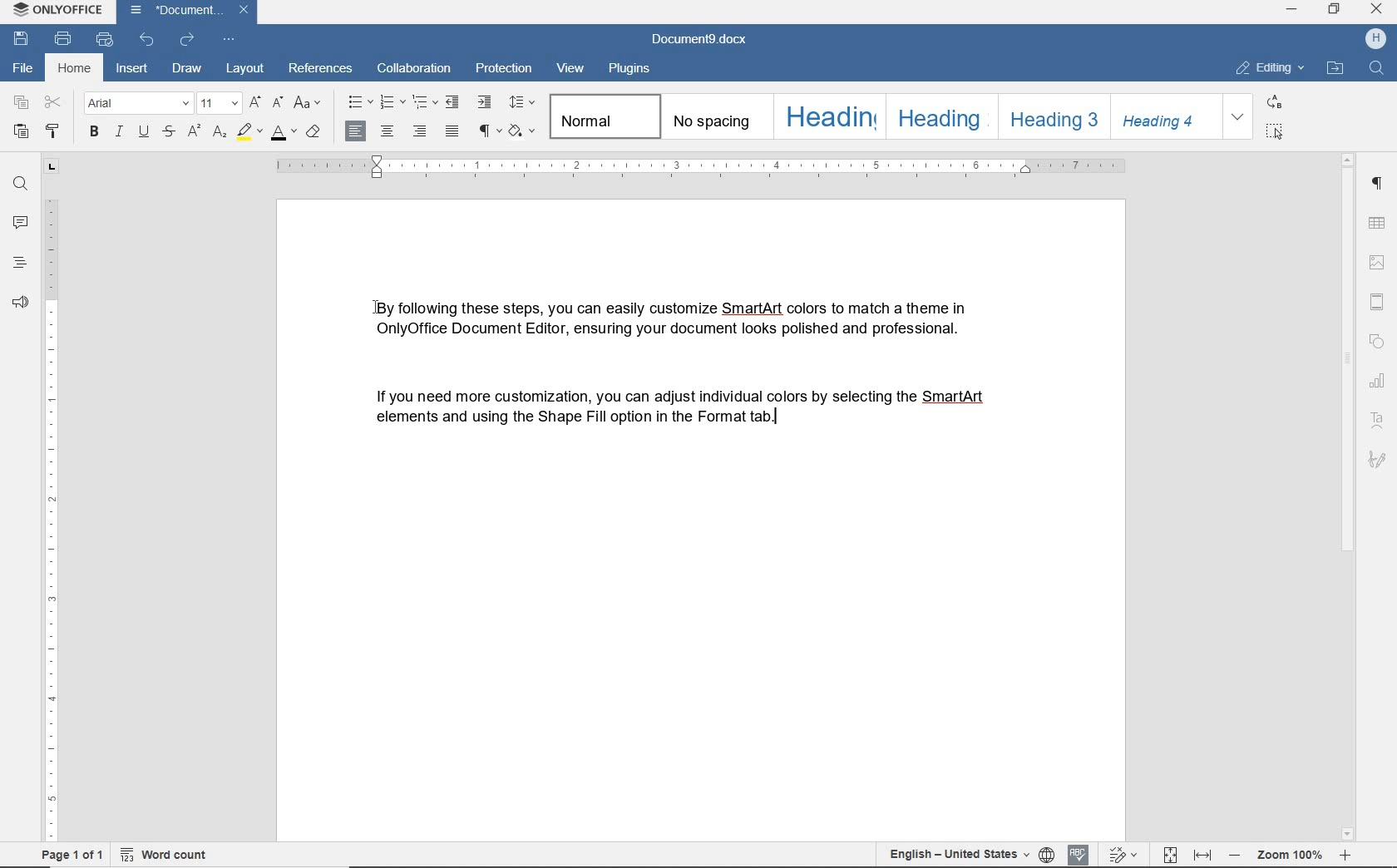 The height and width of the screenshot is (868, 1397). What do you see at coordinates (521, 102) in the screenshot?
I see `paragraph line spacing` at bounding box center [521, 102].